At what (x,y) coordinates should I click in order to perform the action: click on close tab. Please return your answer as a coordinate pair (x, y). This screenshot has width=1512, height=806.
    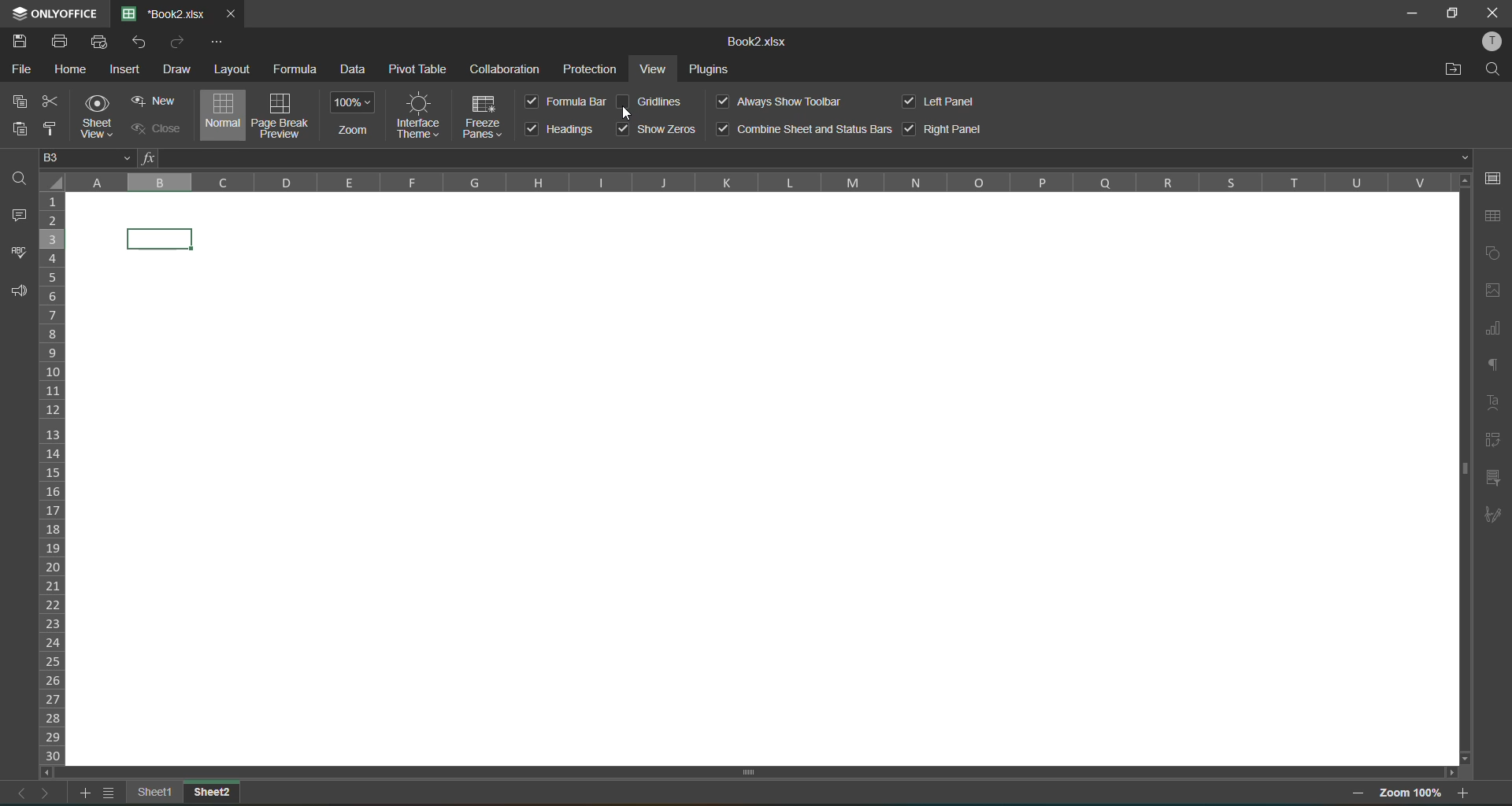
    Looking at the image, I should click on (228, 13).